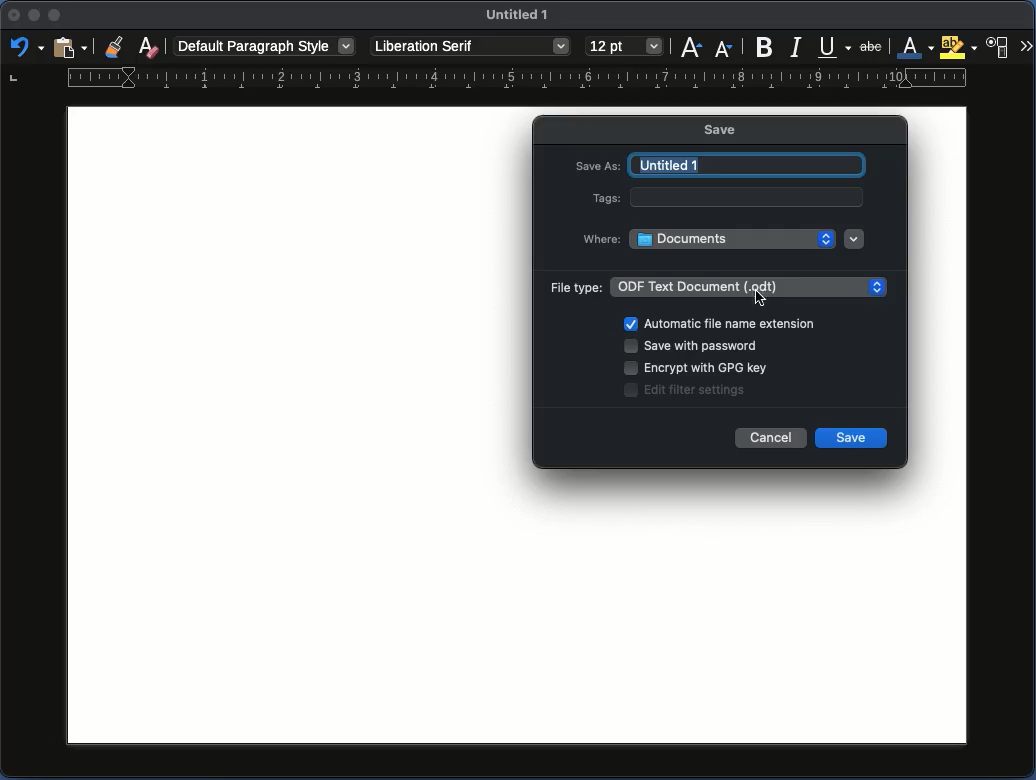  Describe the element at coordinates (708, 239) in the screenshot. I see `Where` at that location.